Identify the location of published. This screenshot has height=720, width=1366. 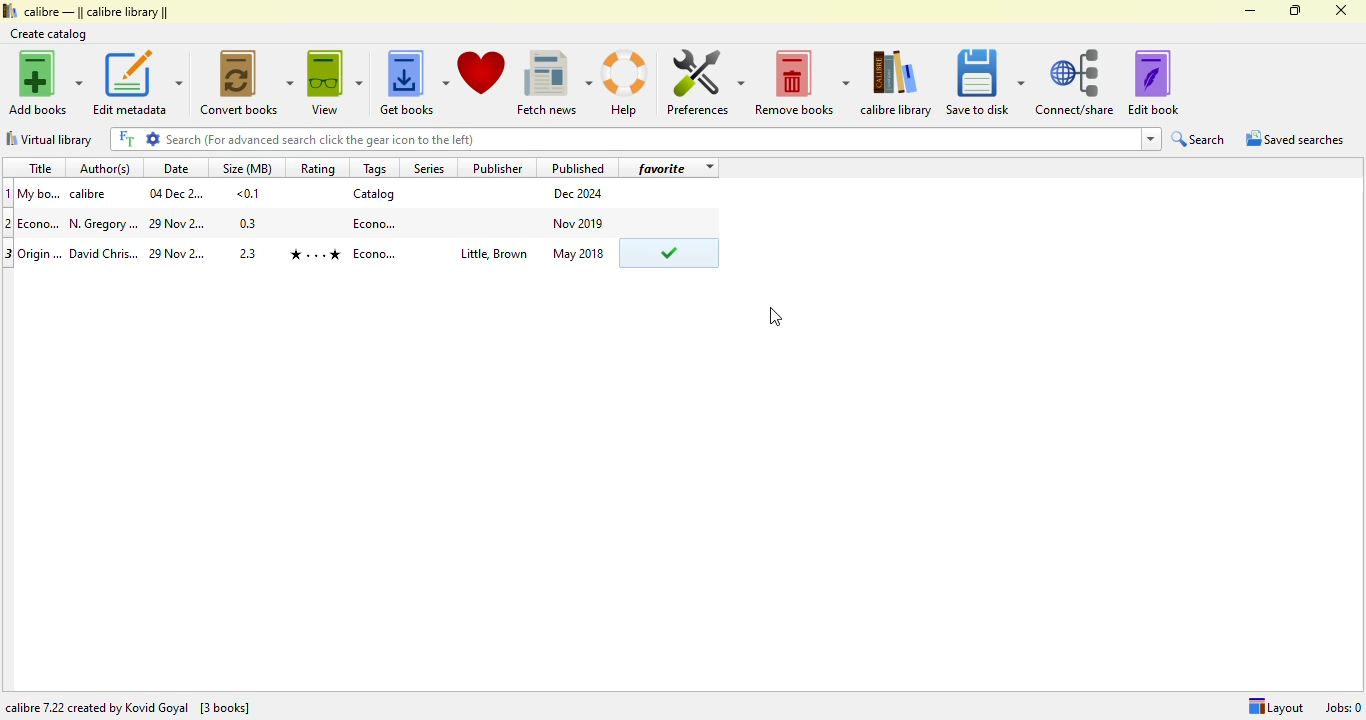
(578, 167).